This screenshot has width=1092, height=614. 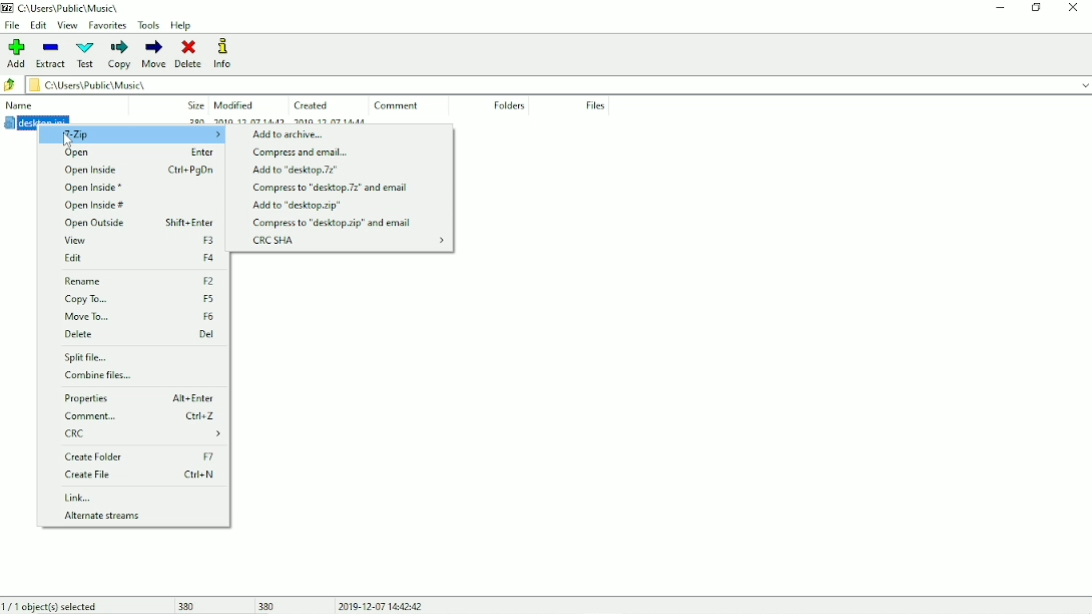 What do you see at coordinates (79, 498) in the screenshot?
I see `Link` at bounding box center [79, 498].